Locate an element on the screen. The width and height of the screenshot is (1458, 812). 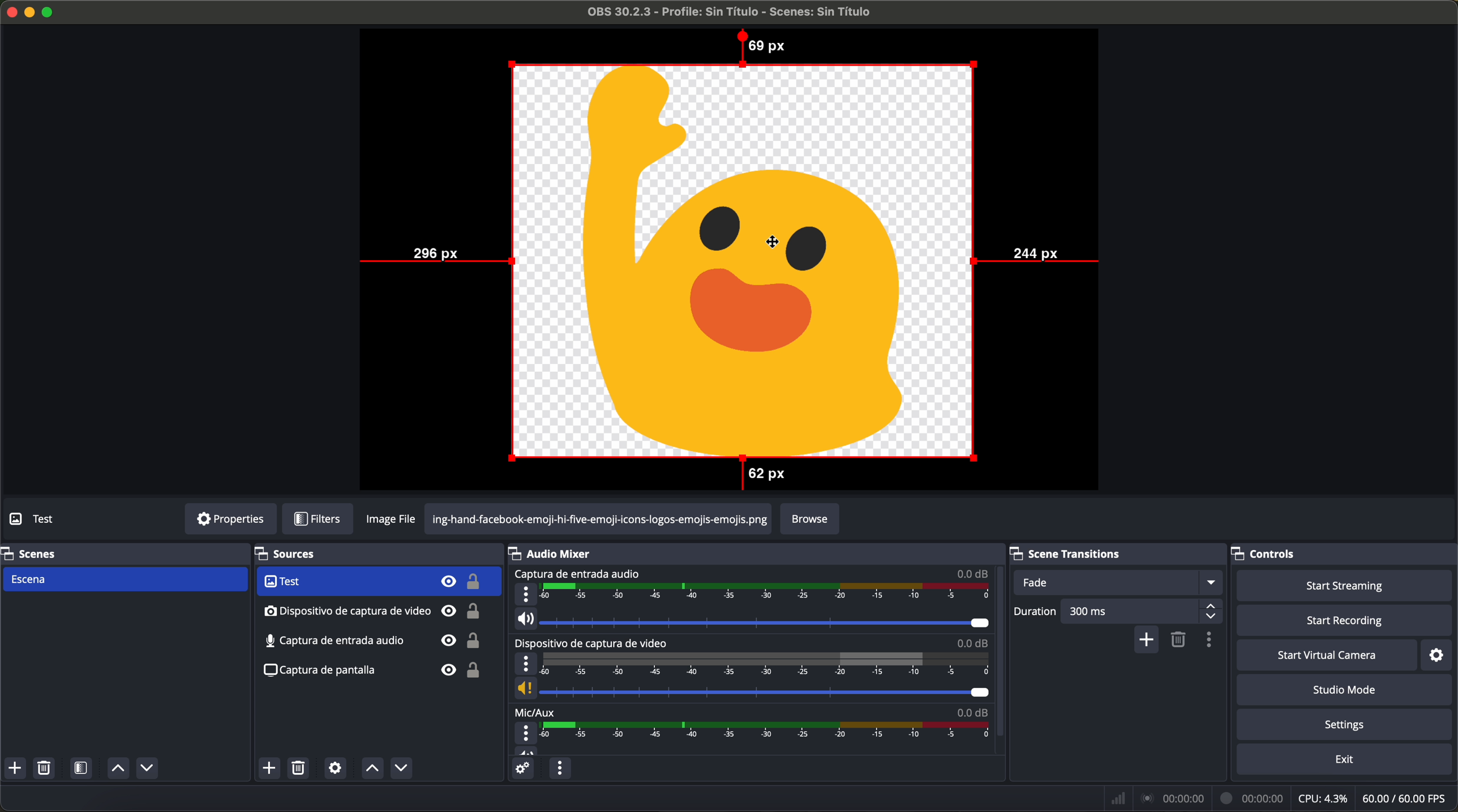
296 px distance is located at coordinates (435, 257).